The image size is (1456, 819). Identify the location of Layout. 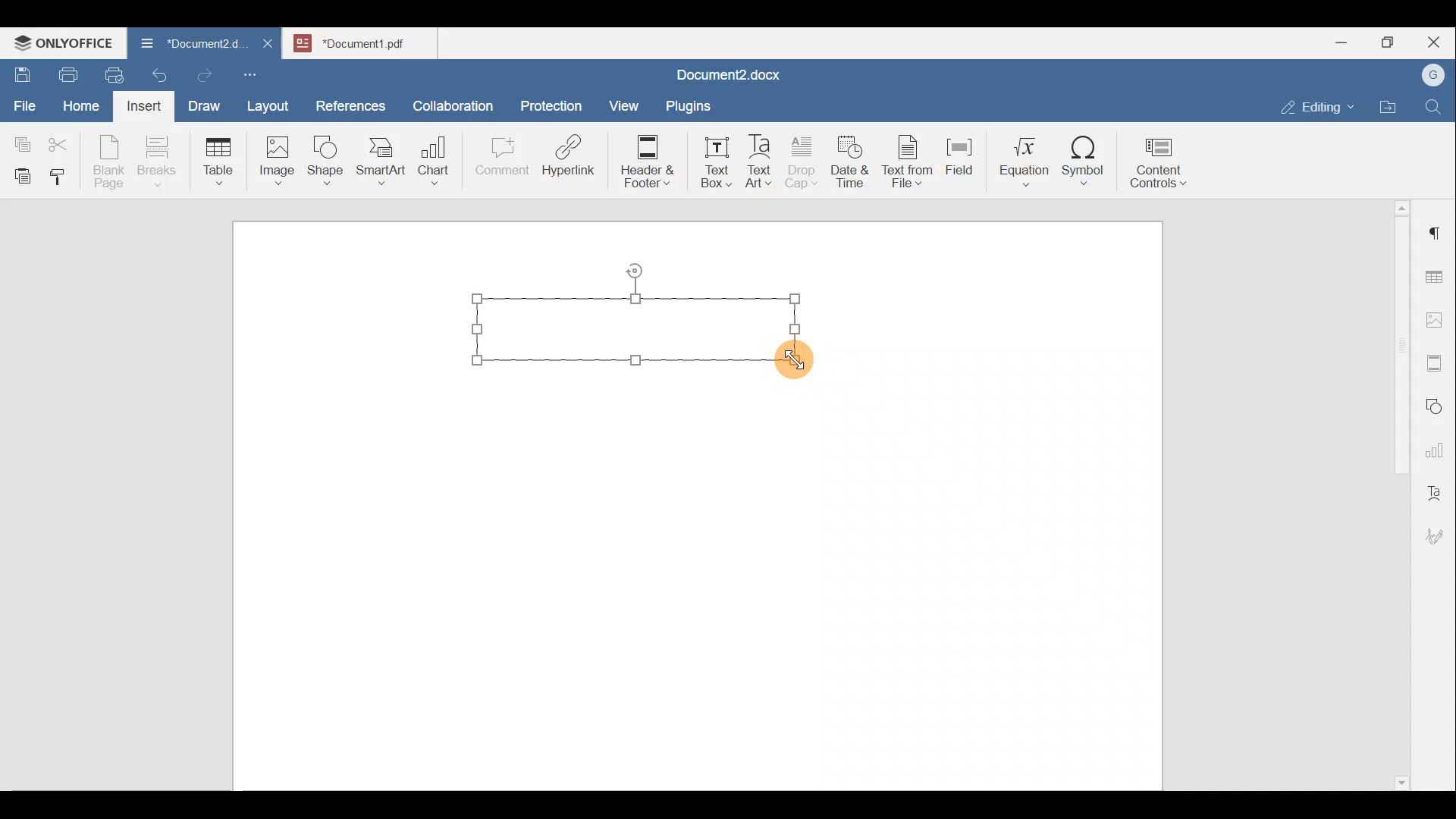
(271, 103).